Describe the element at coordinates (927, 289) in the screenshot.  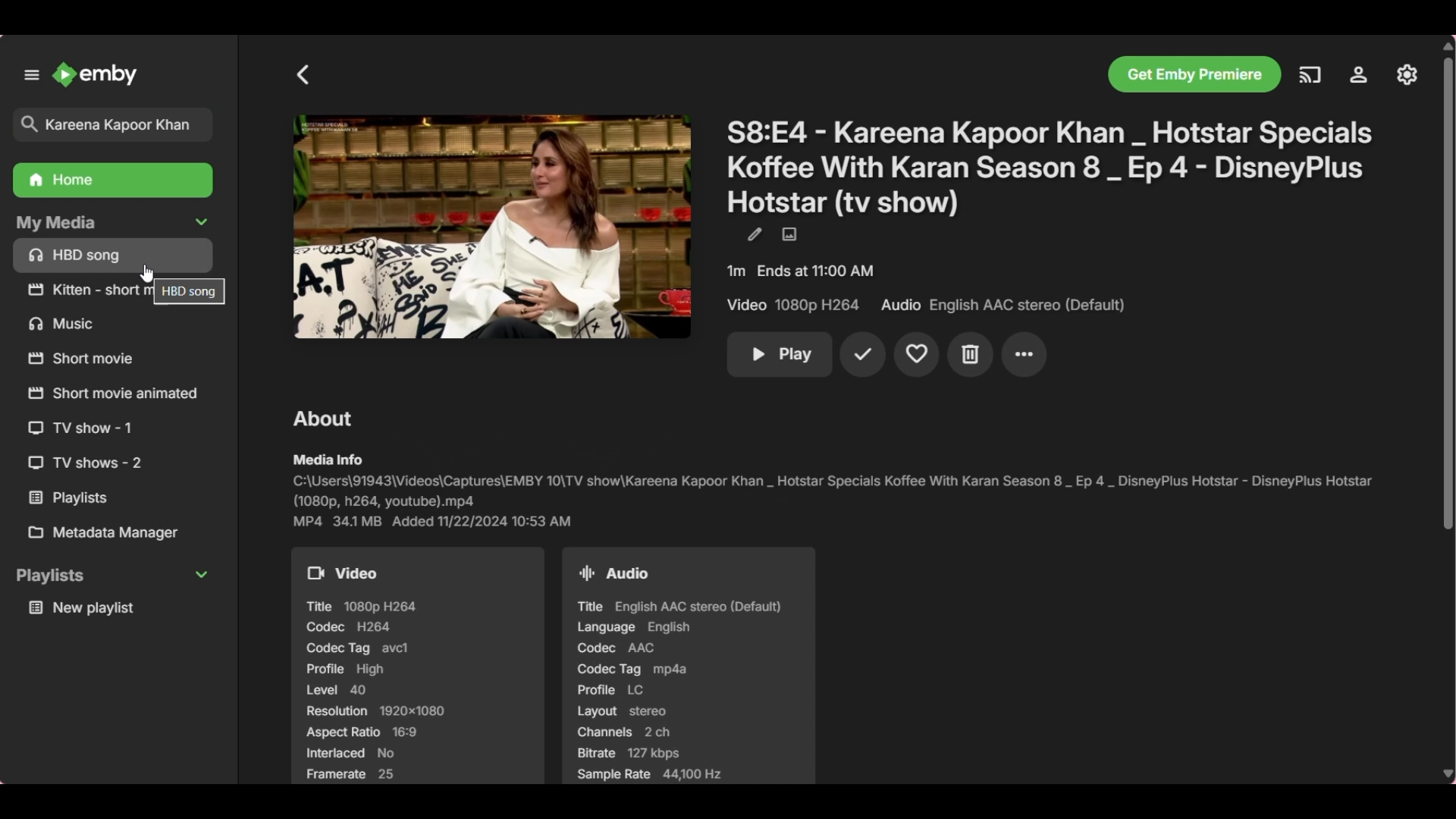
I see `Details of selected show` at that location.